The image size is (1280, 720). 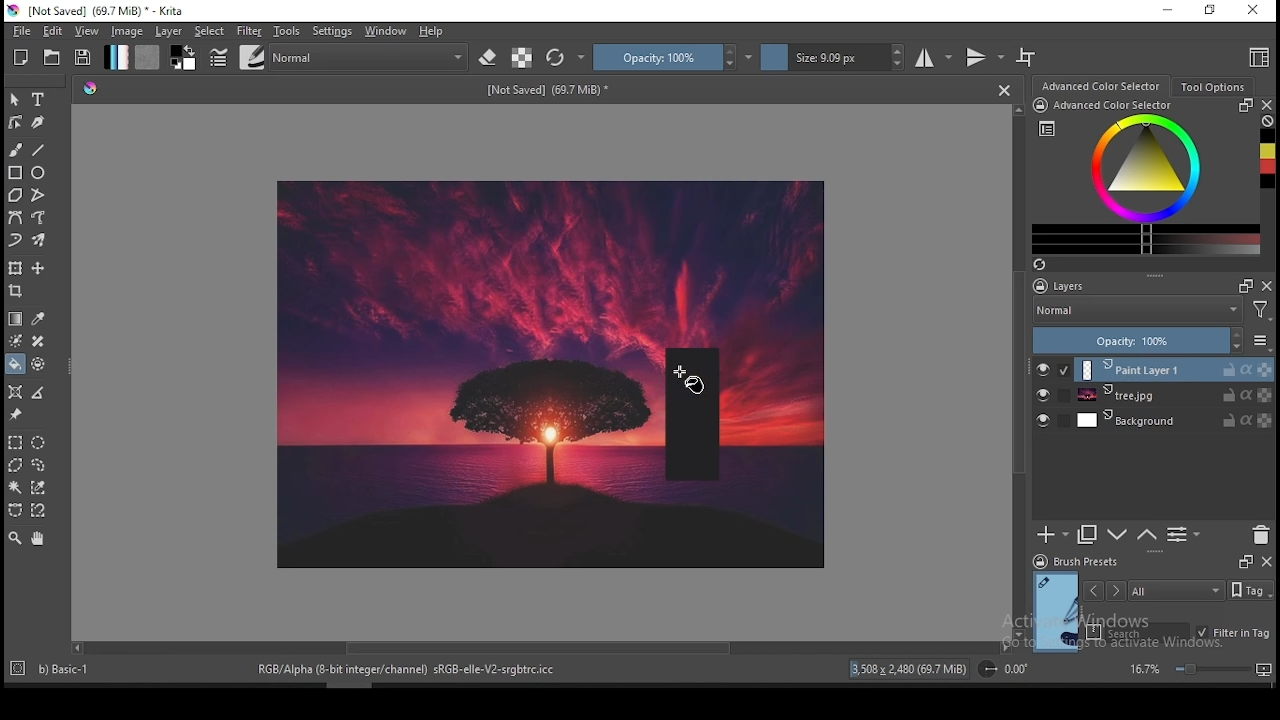 What do you see at coordinates (17, 365) in the screenshot?
I see `paint bucket tool` at bounding box center [17, 365].